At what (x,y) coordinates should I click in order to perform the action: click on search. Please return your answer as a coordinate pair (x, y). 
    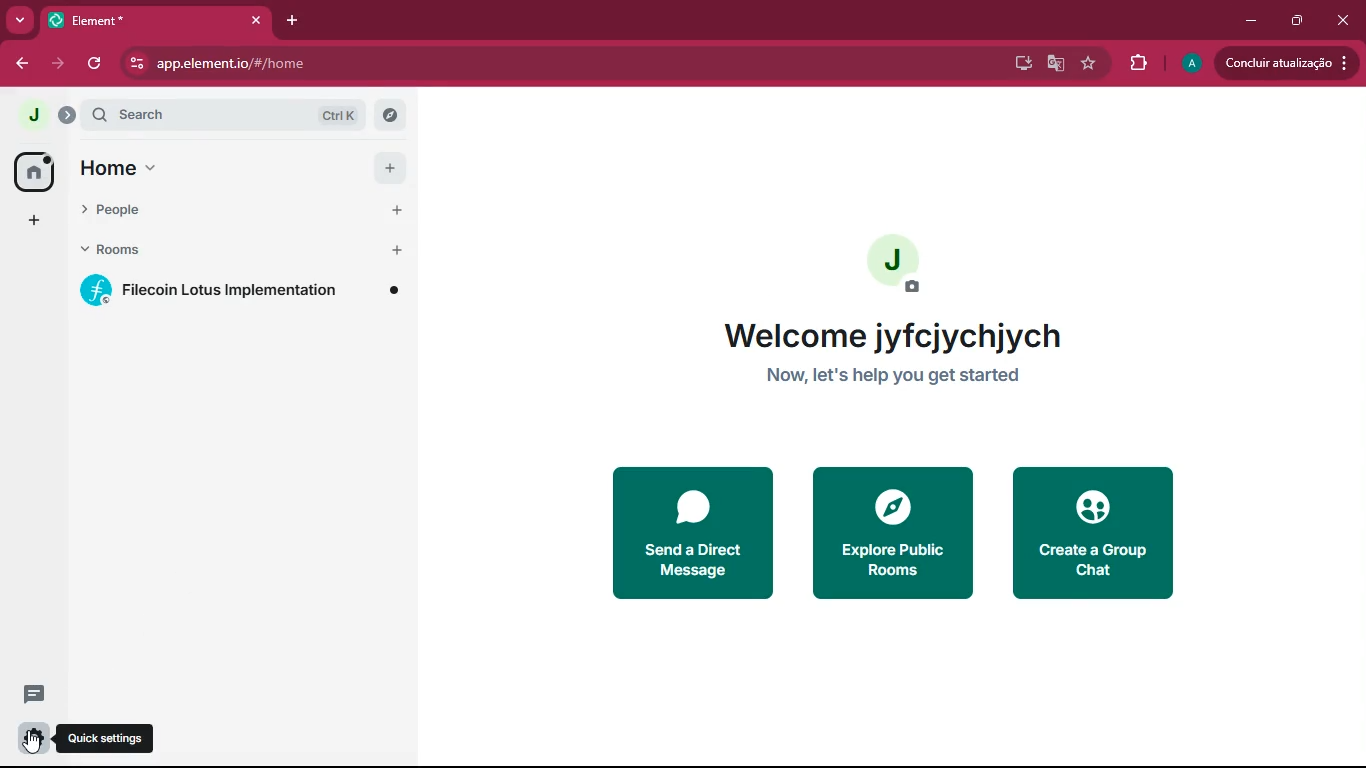
    Looking at the image, I should click on (223, 114).